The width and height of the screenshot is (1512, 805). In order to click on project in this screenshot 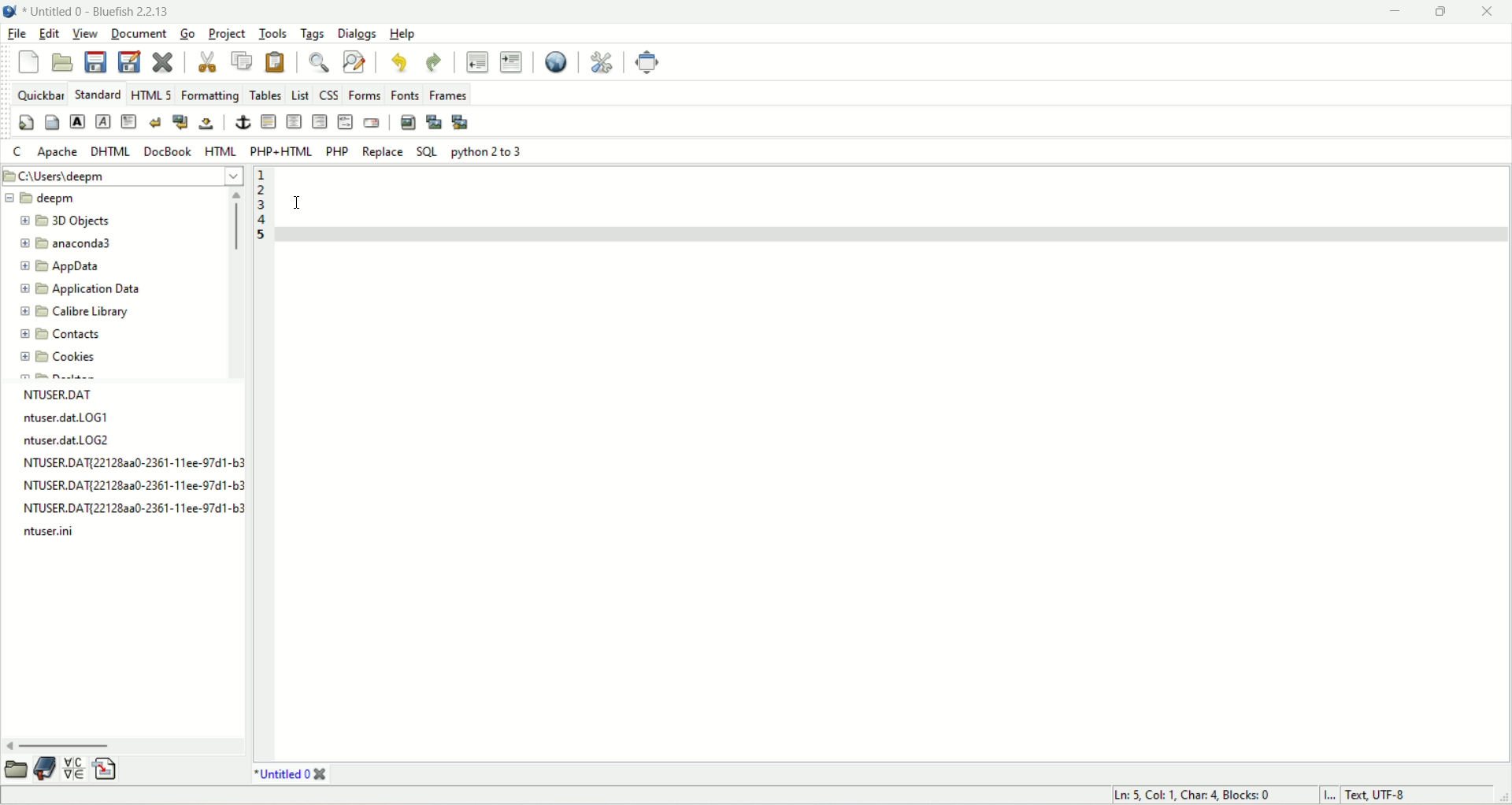, I will do `click(228, 33)`.